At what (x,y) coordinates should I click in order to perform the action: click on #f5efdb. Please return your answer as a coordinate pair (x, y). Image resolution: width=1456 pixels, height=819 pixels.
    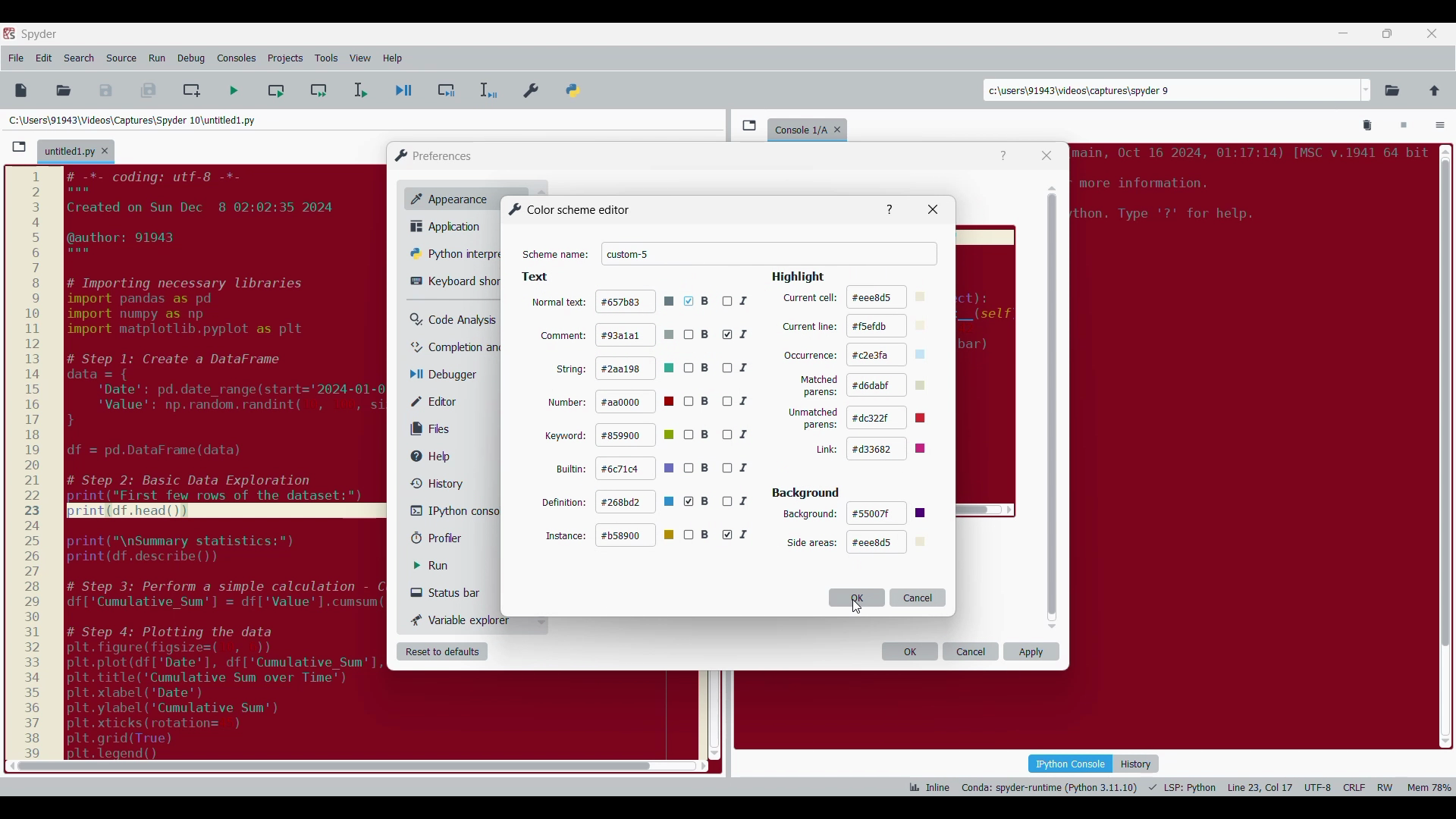
    Looking at the image, I should click on (889, 326).